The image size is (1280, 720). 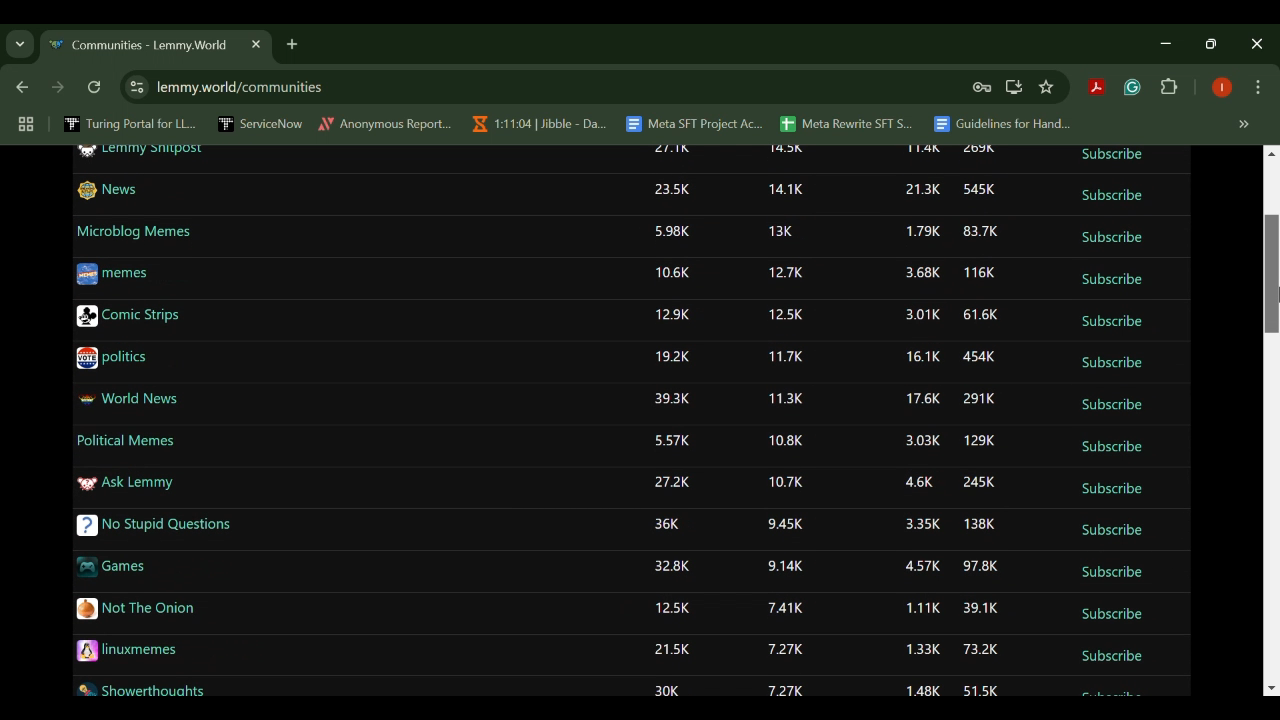 I want to click on Communities- Lemmy.World, so click(x=138, y=46).